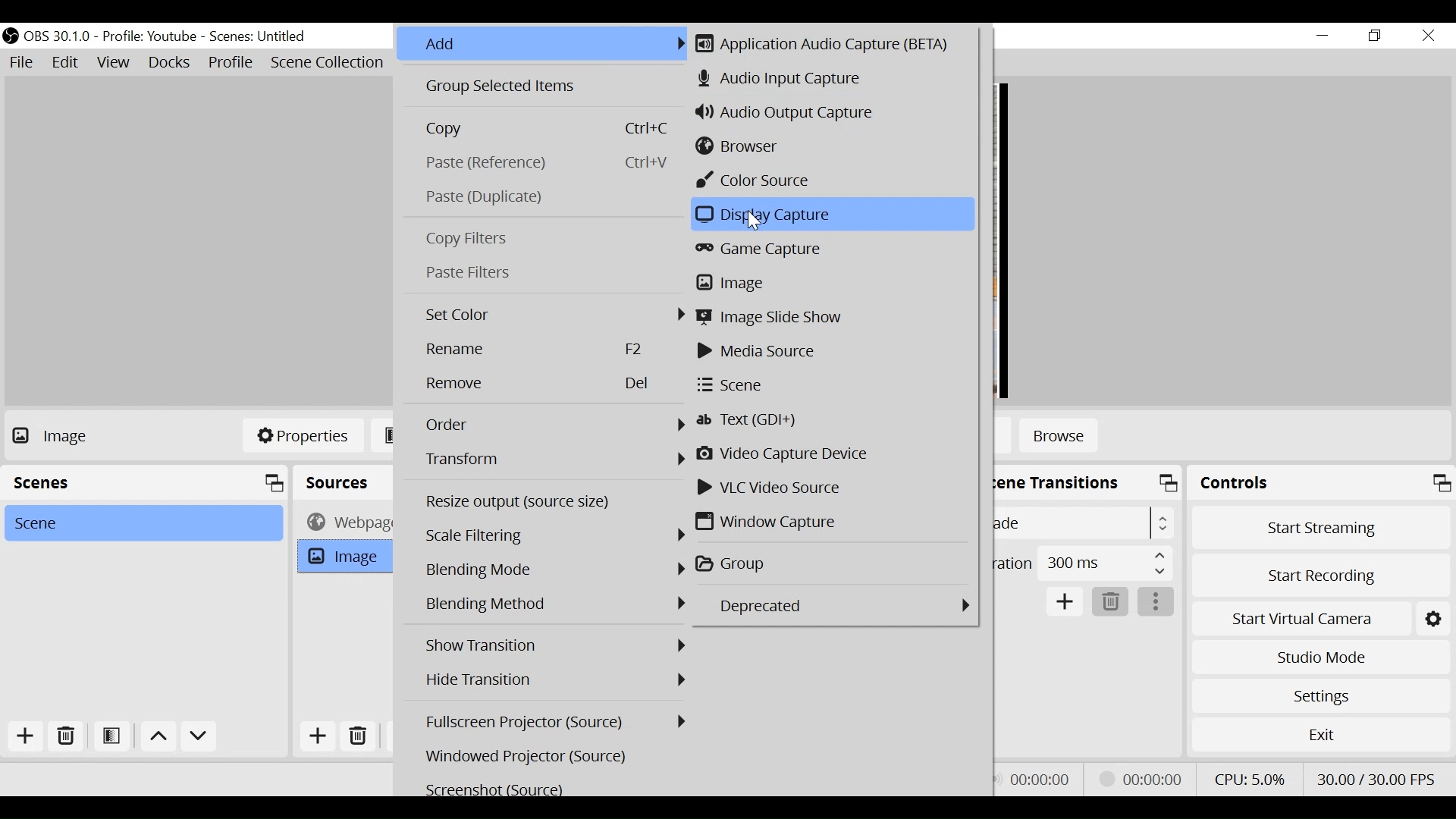  Describe the element at coordinates (544, 240) in the screenshot. I see `Copy Filters` at that location.